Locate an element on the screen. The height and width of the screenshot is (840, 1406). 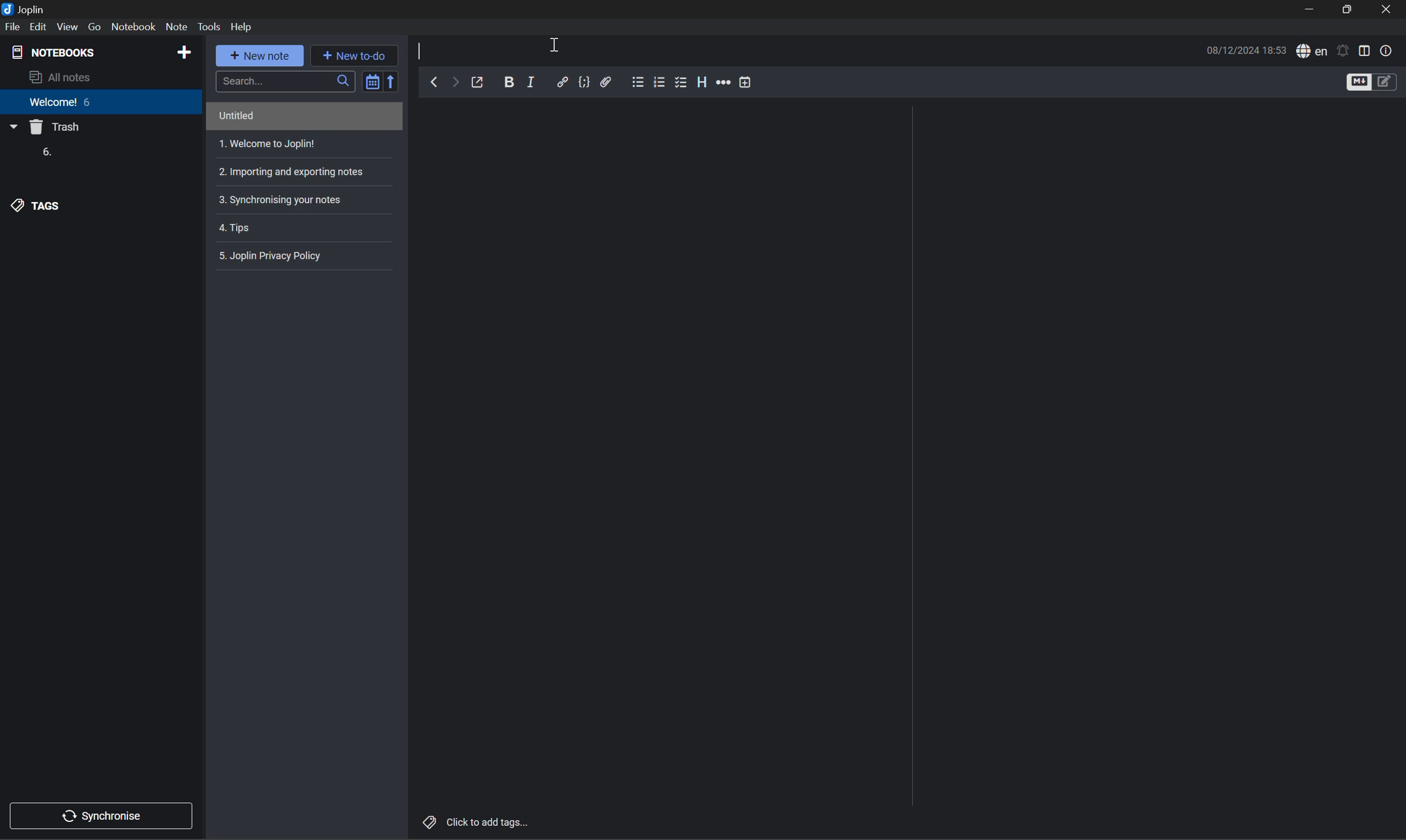
Back is located at coordinates (431, 82).